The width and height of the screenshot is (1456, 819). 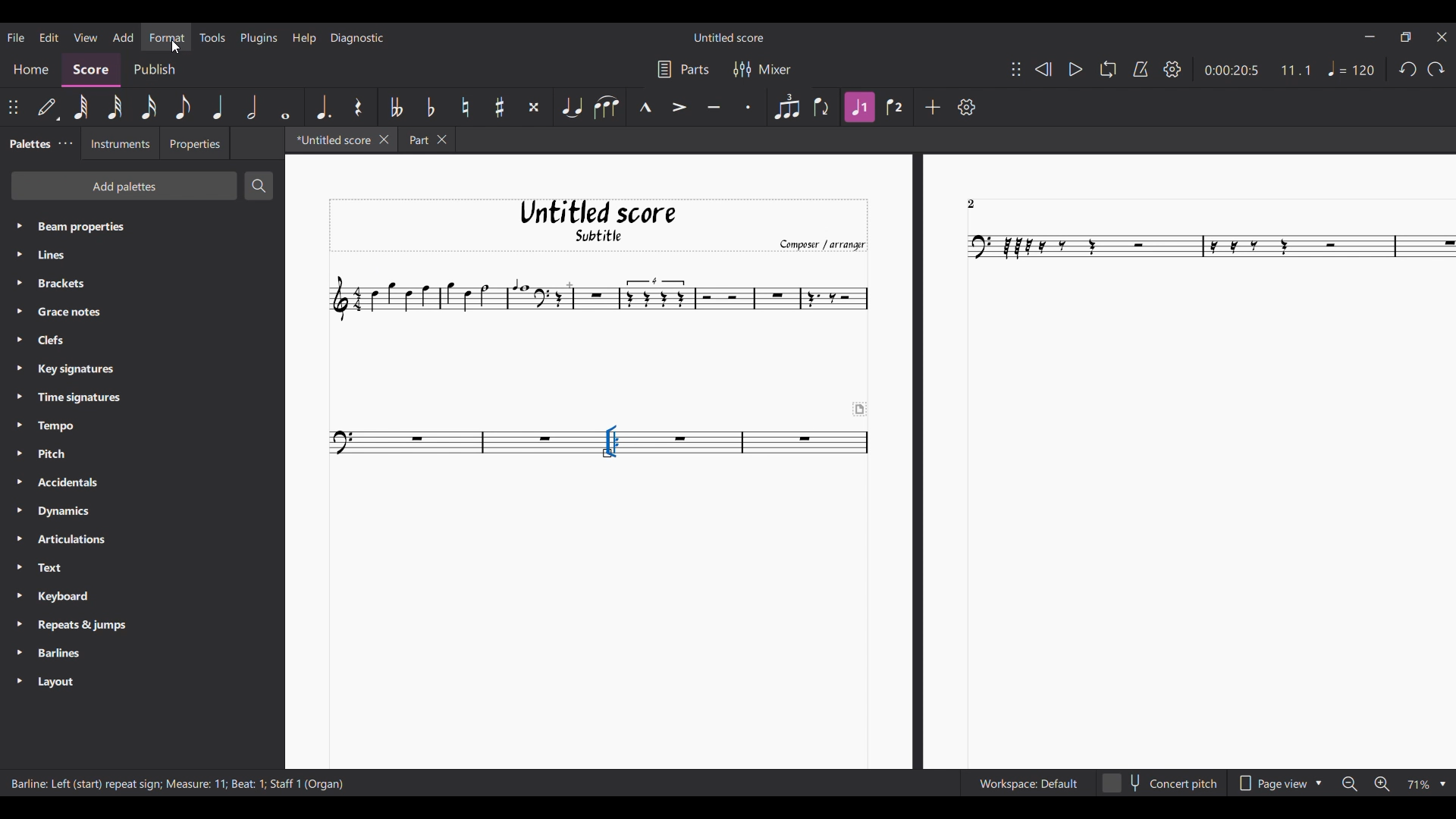 What do you see at coordinates (426, 140) in the screenshot?
I see `Other tab` at bounding box center [426, 140].